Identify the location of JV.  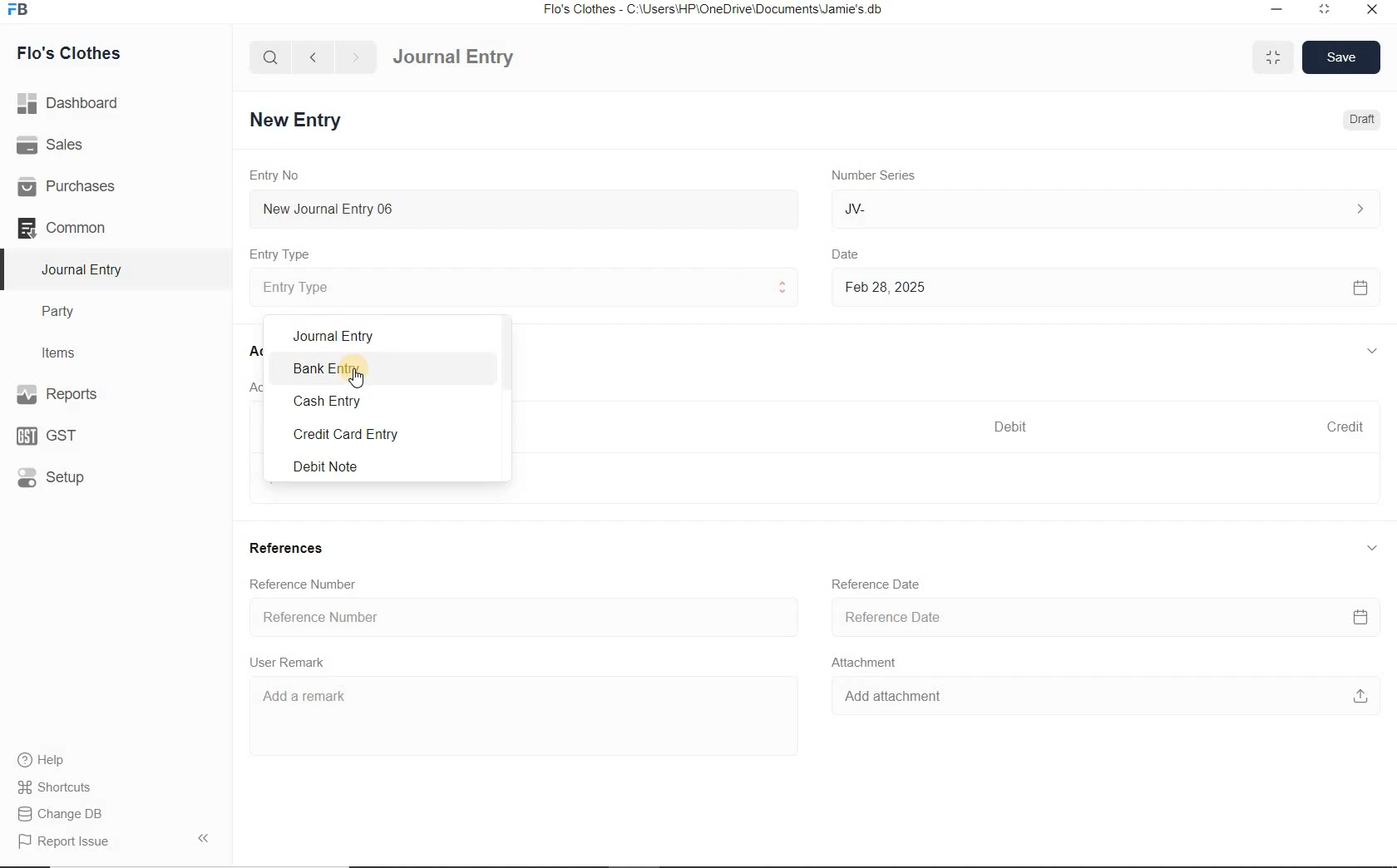
(1102, 209).